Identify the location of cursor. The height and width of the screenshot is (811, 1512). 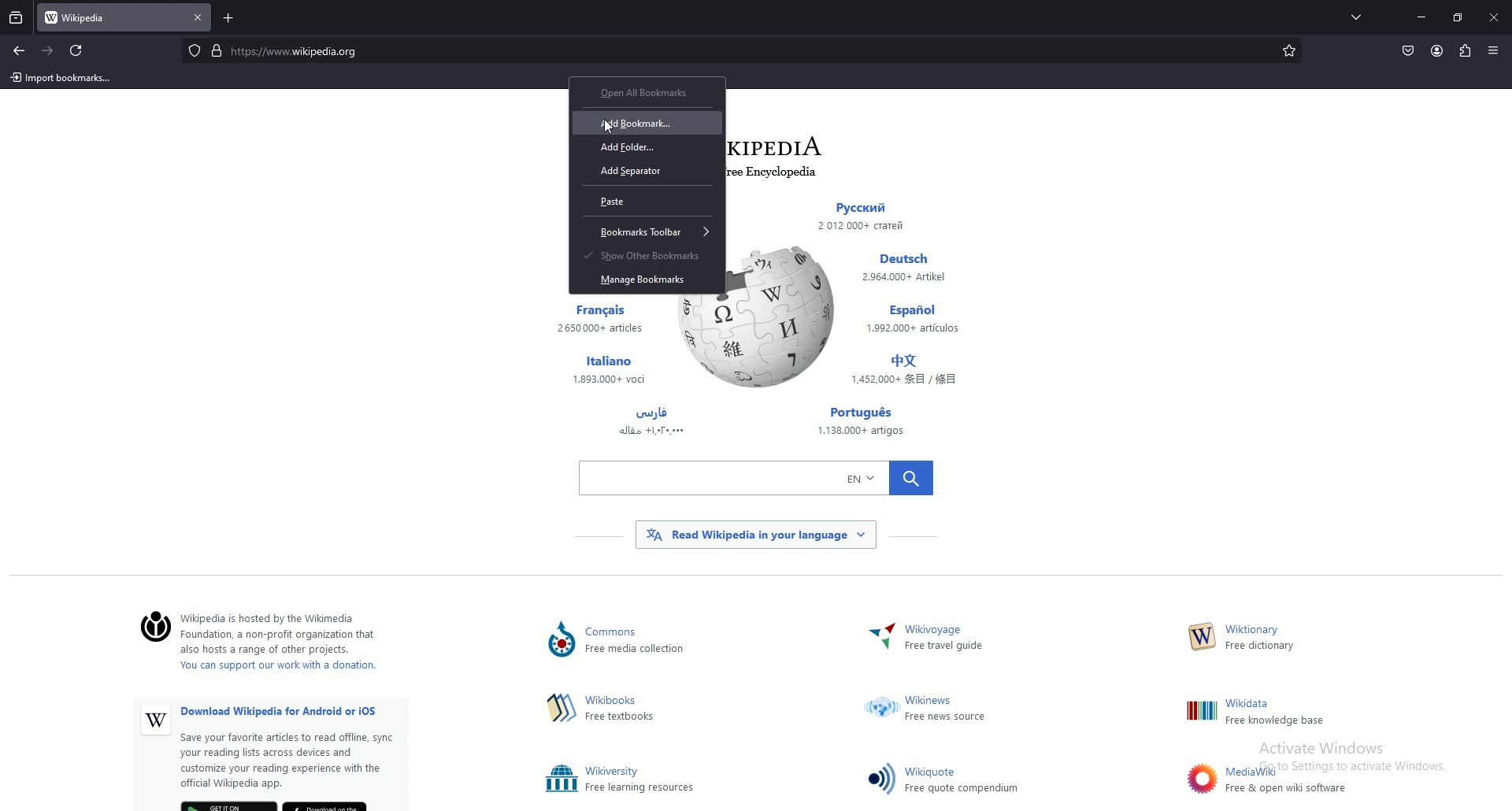
(610, 128).